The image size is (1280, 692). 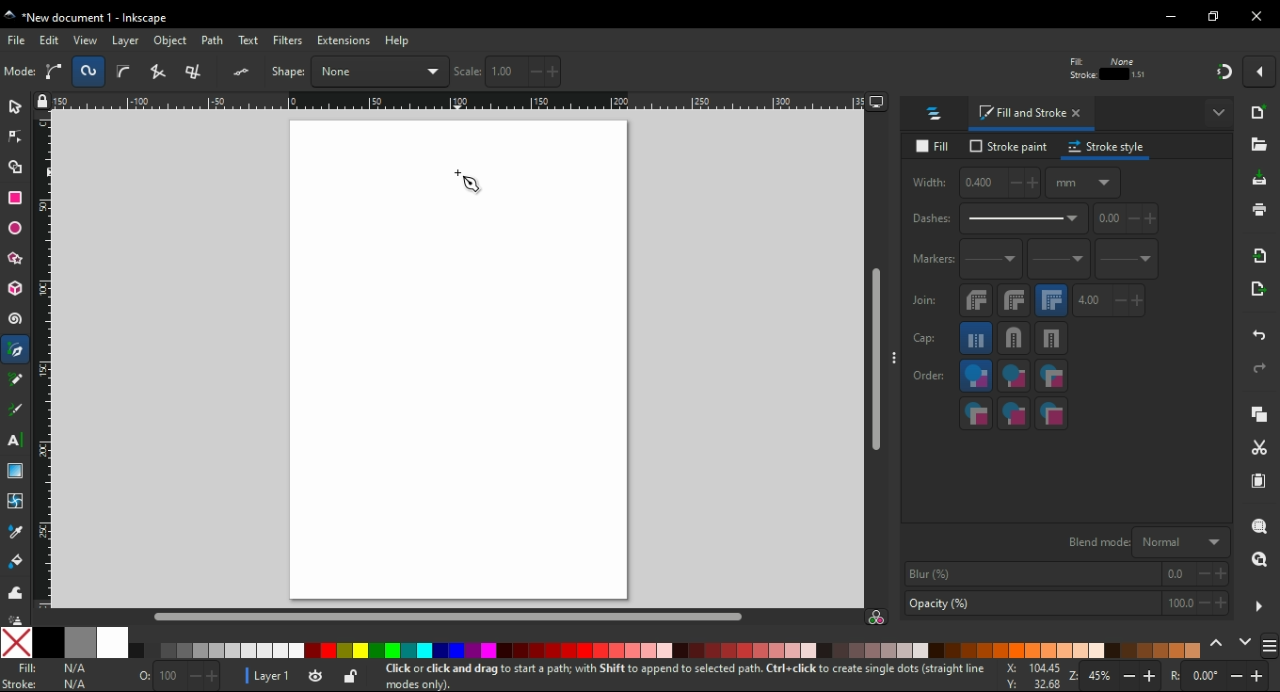 What do you see at coordinates (1259, 148) in the screenshot?
I see `open file dialogue` at bounding box center [1259, 148].